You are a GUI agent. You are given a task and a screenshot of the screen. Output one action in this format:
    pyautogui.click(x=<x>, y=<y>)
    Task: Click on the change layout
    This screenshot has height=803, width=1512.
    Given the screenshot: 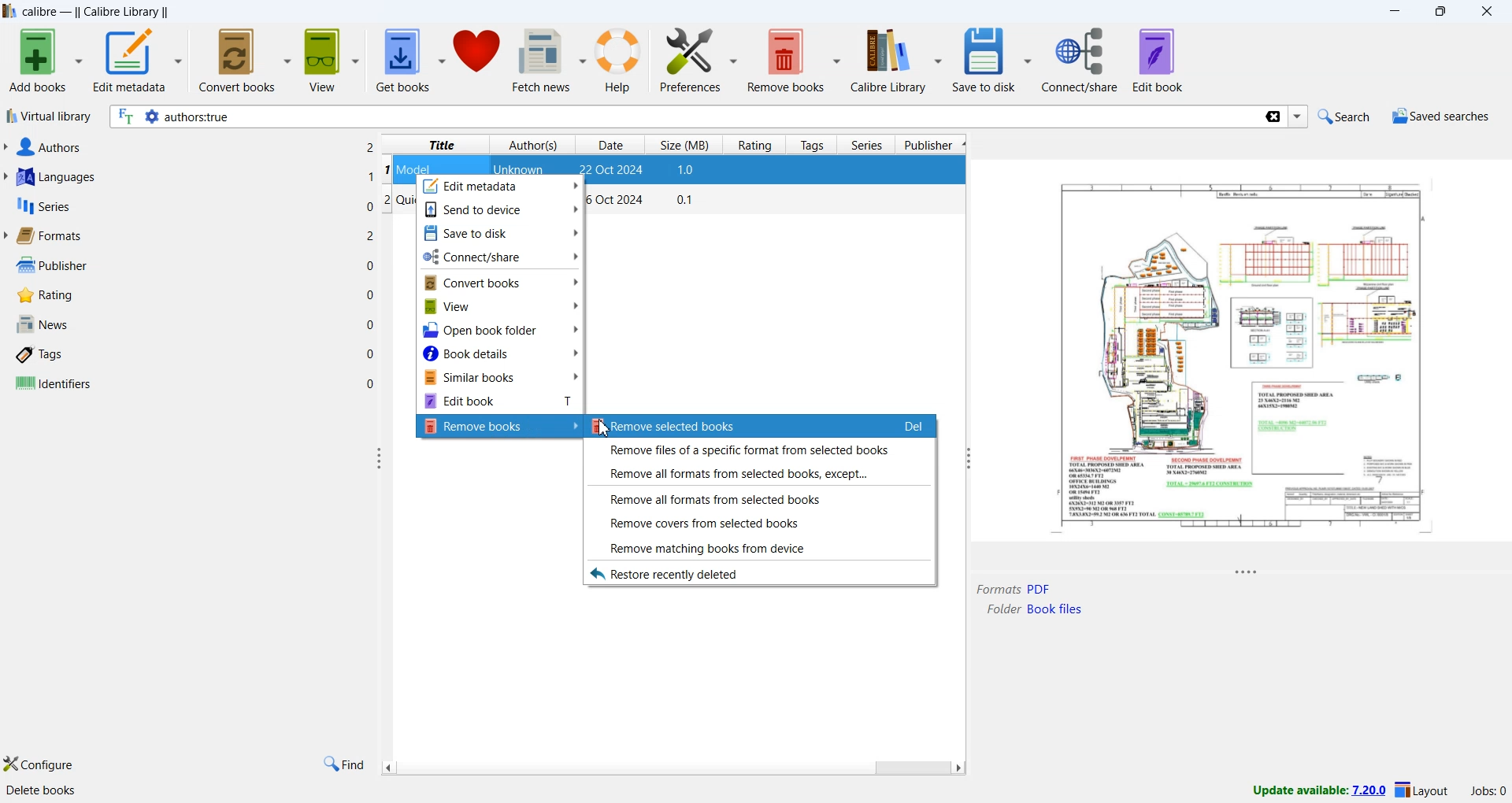 What is the action you would take?
    pyautogui.click(x=1421, y=793)
    